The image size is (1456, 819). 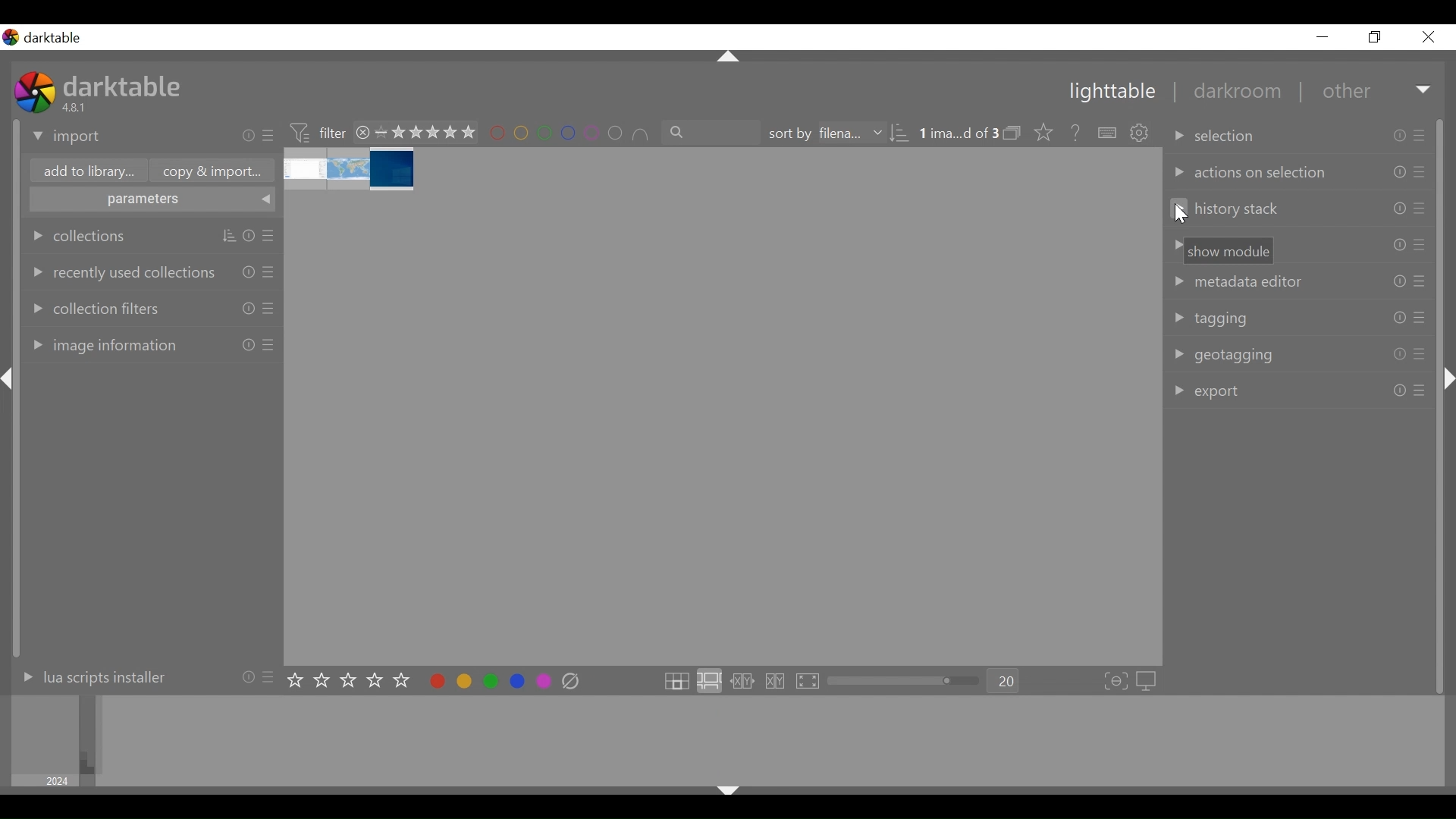 I want to click on info, so click(x=249, y=308).